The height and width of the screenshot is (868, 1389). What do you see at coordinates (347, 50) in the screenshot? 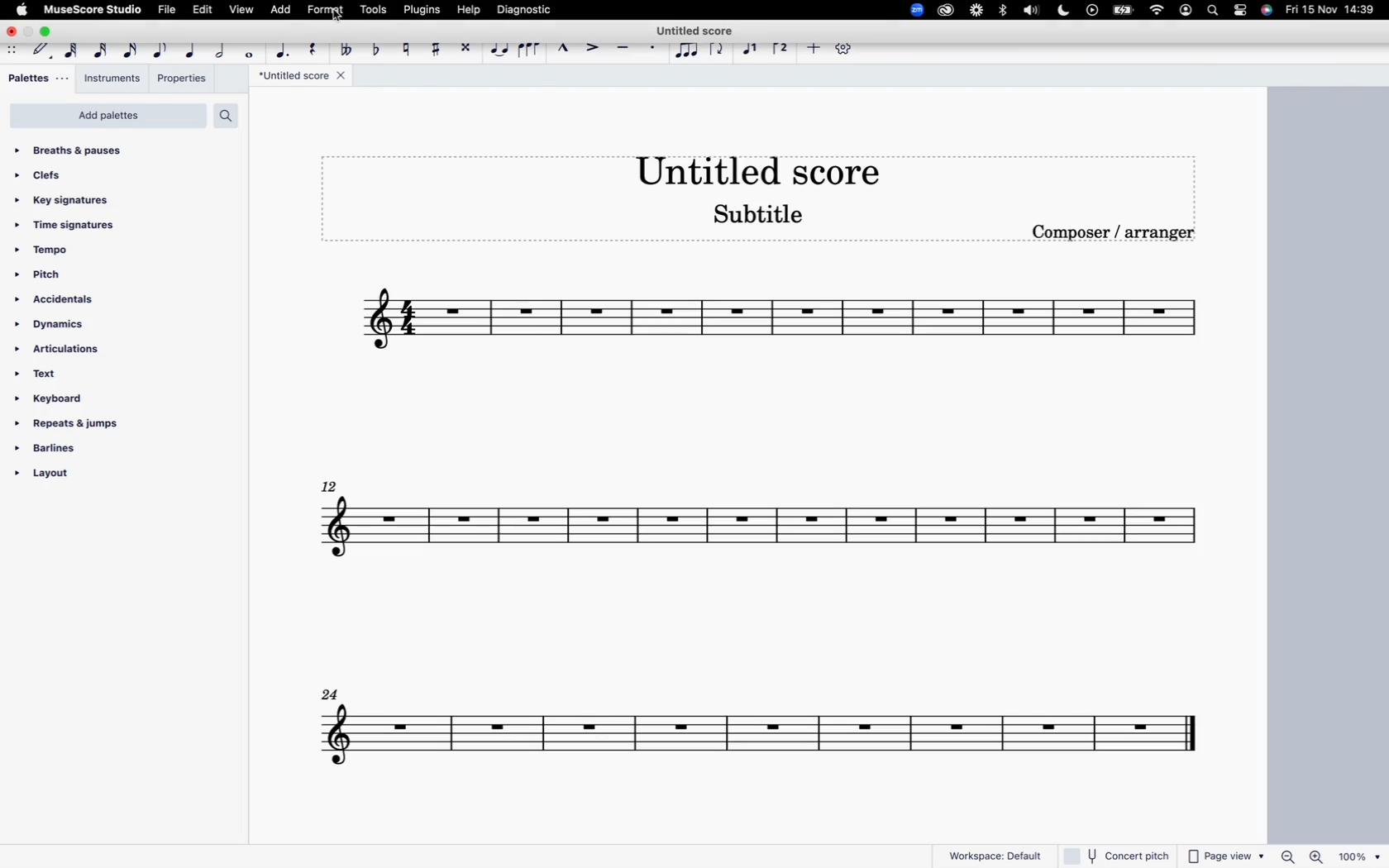
I see `toggle double flat` at bounding box center [347, 50].